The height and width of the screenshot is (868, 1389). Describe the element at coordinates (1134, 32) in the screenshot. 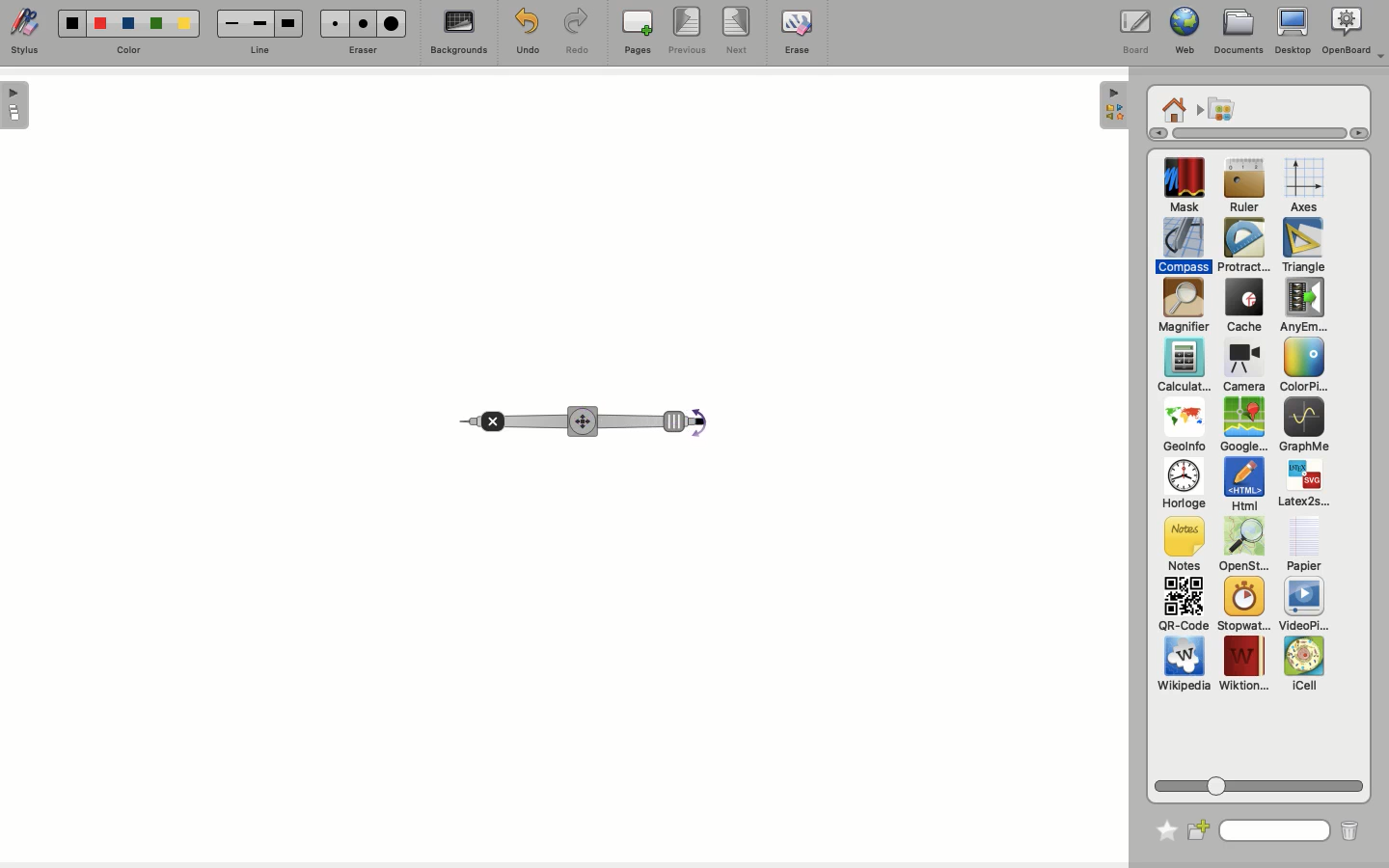

I see `Board` at that location.